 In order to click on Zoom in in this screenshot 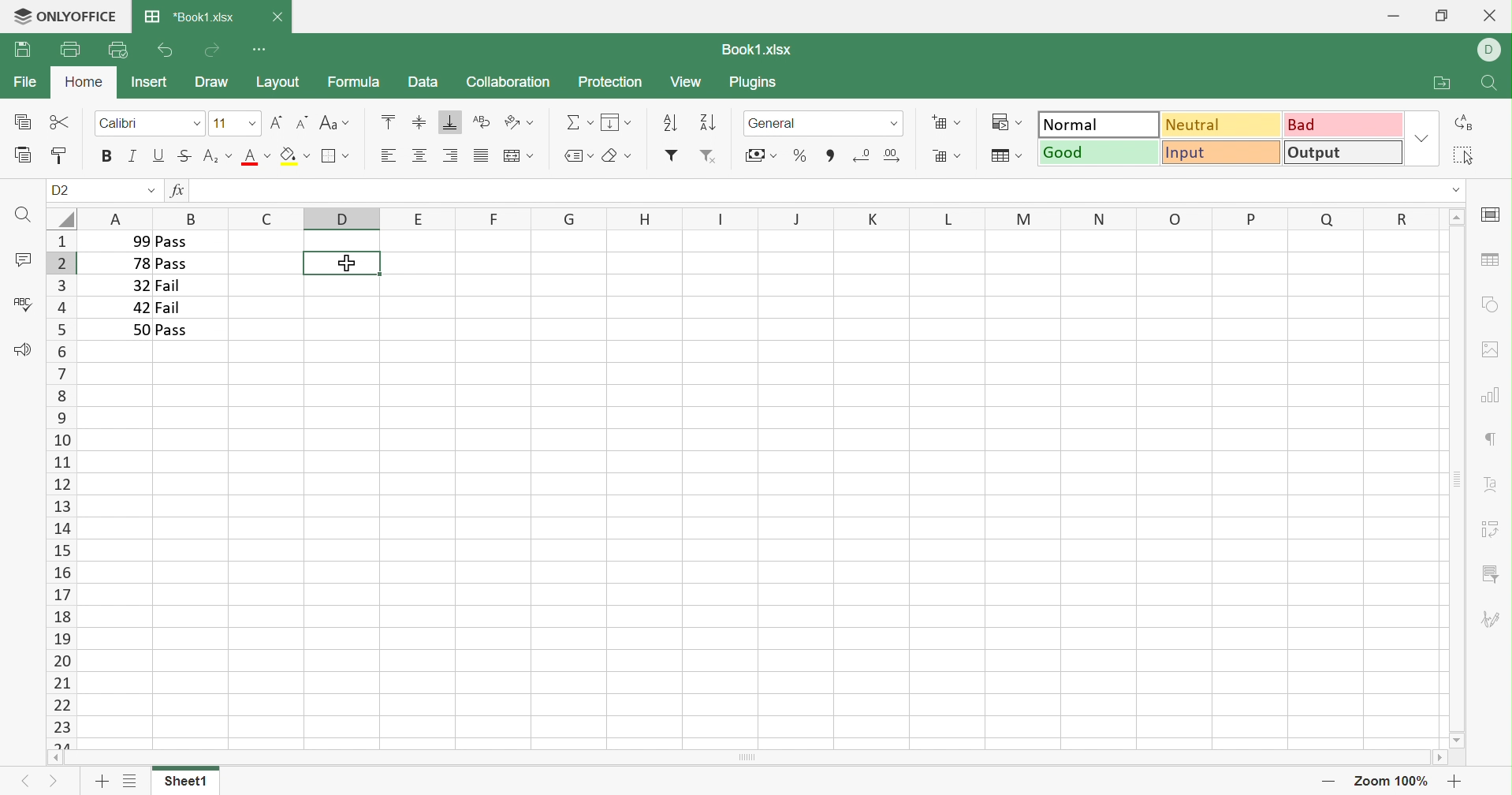, I will do `click(1455, 781)`.